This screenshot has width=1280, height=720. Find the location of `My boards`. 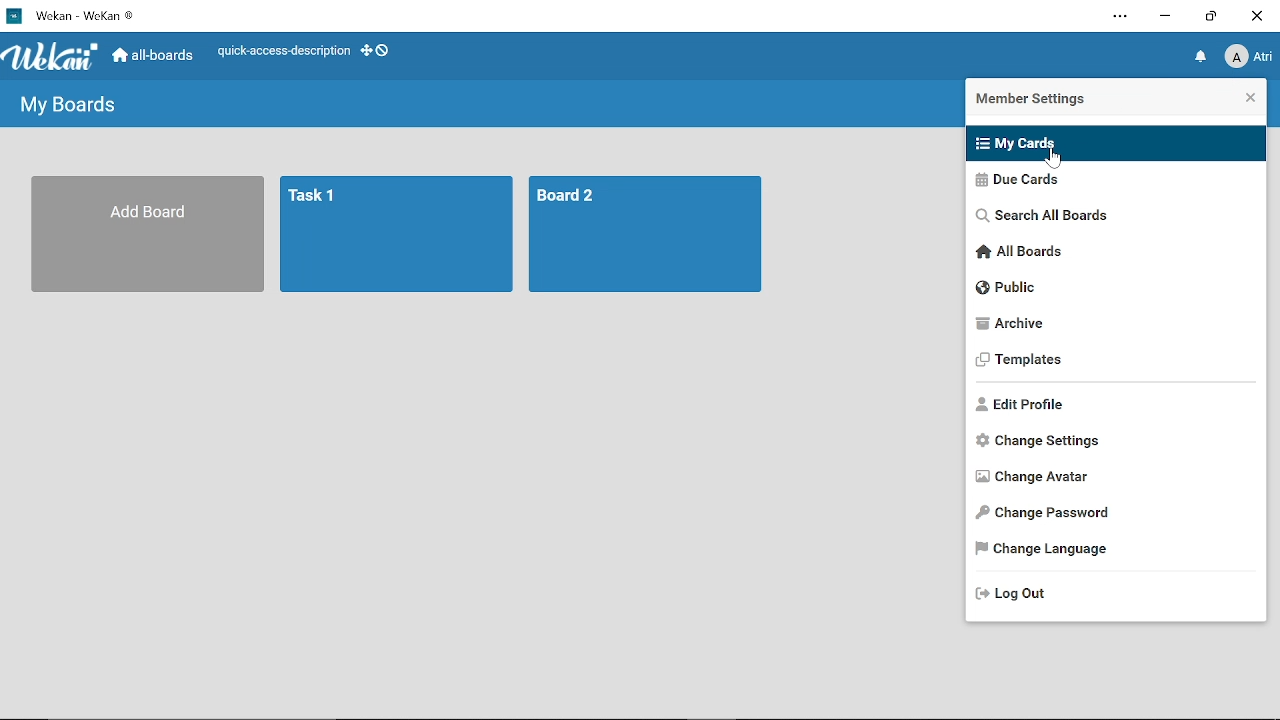

My boards is located at coordinates (71, 105).